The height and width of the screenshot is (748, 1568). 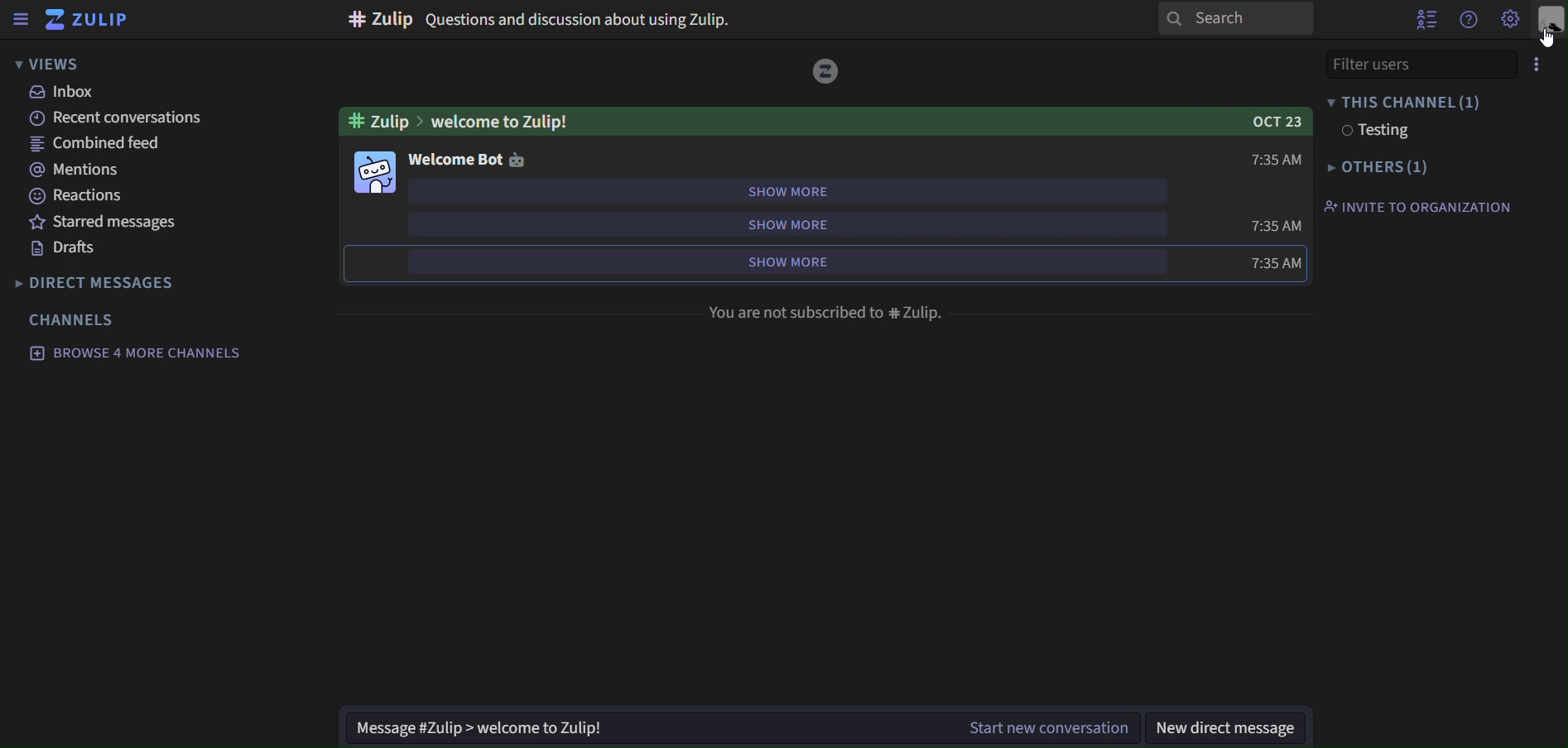 I want to click on browse 4 more channels, so click(x=132, y=353).